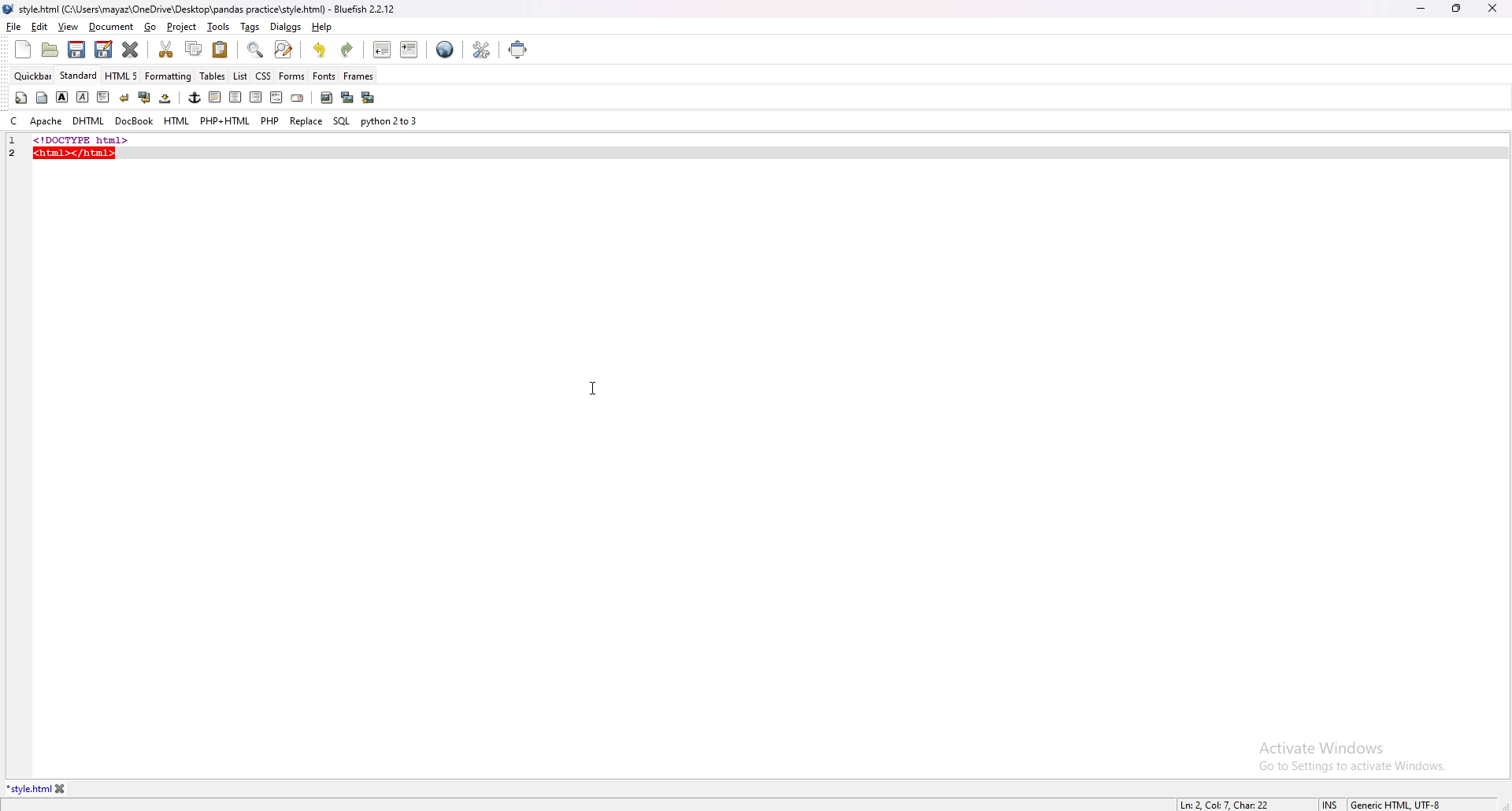  Describe the element at coordinates (367, 97) in the screenshot. I see `multi thumbnail` at that location.